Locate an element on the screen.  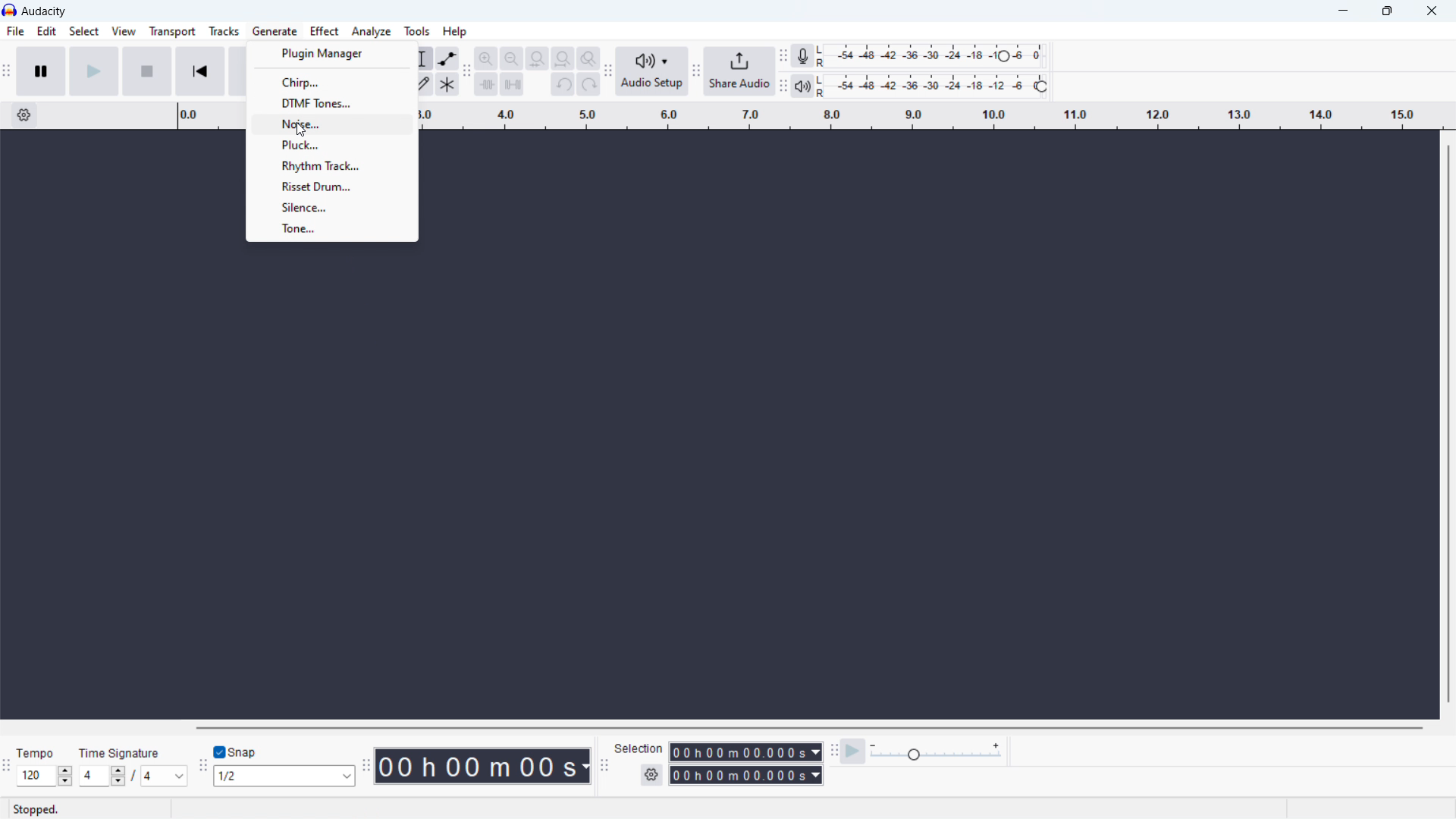
undo is located at coordinates (563, 84).